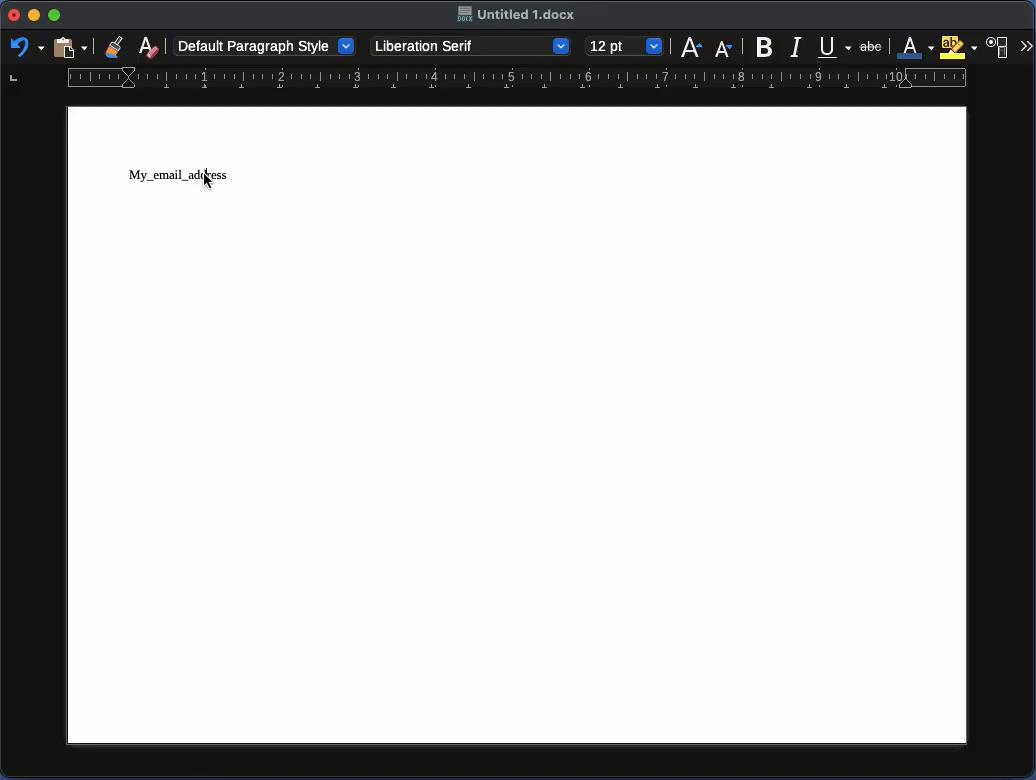 The image size is (1036, 780). What do you see at coordinates (69, 49) in the screenshot?
I see `Clipboard` at bounding box center [69, 49].